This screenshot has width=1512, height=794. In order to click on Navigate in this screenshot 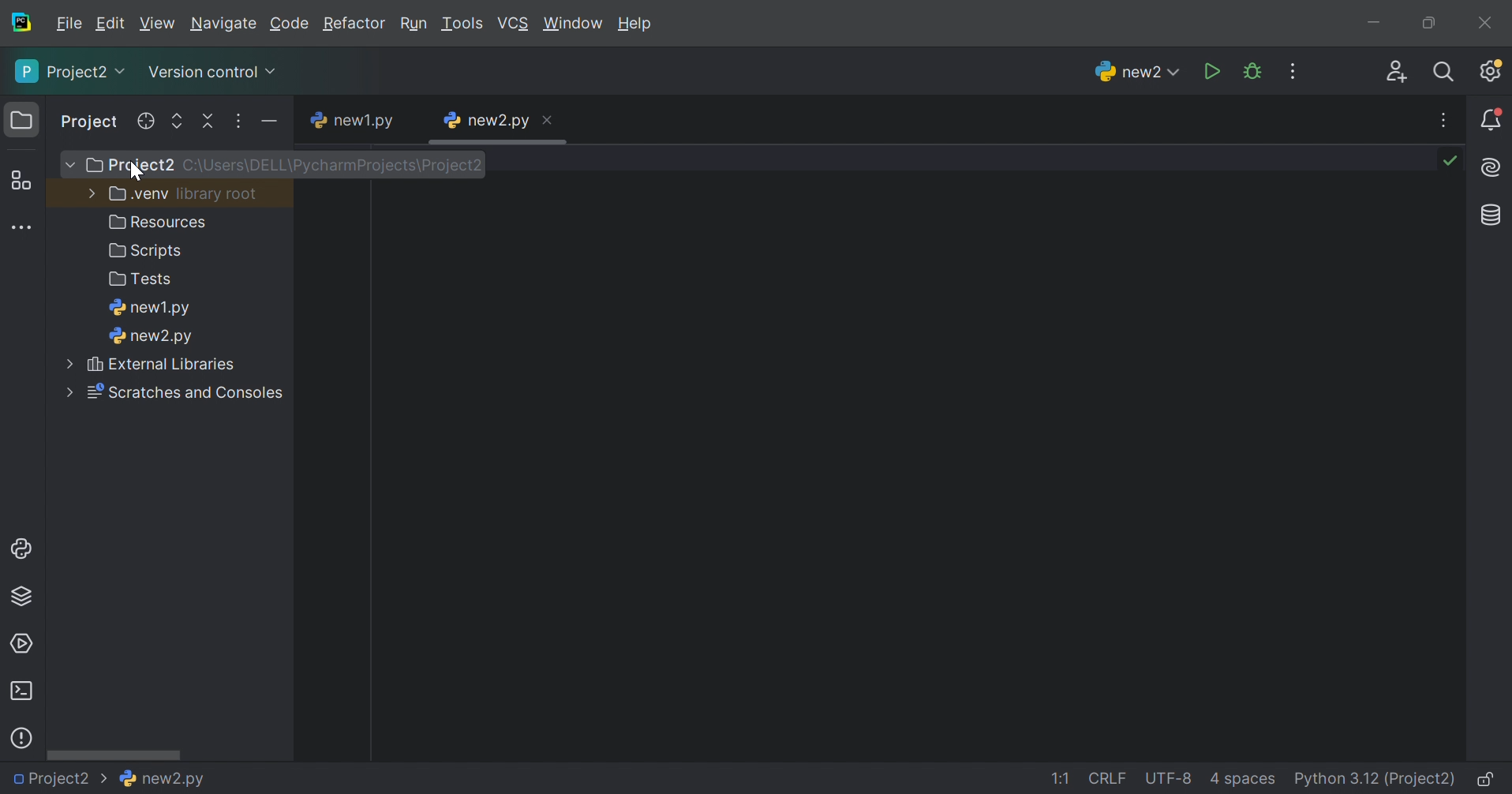, I will do `click(223, 25)`.